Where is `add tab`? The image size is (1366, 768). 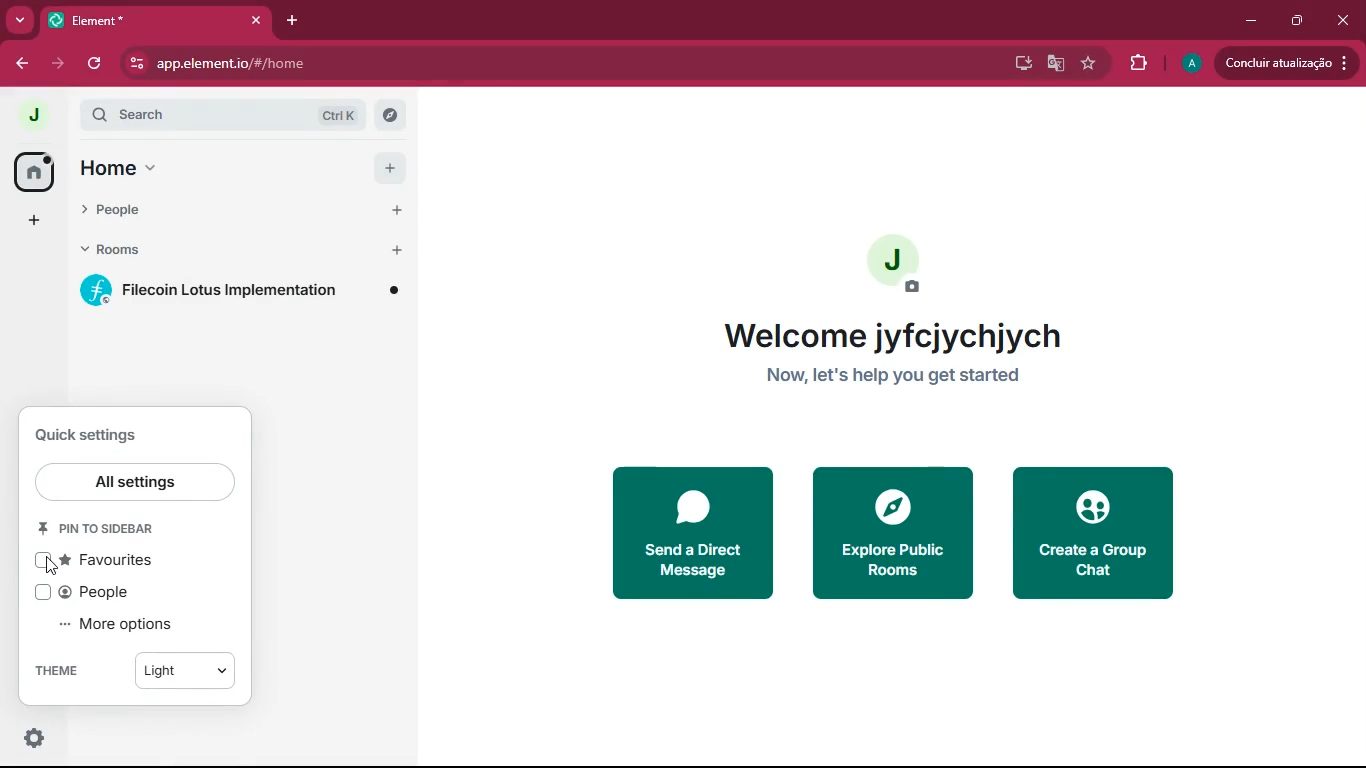
add tab is located at coordinates (293, 22).